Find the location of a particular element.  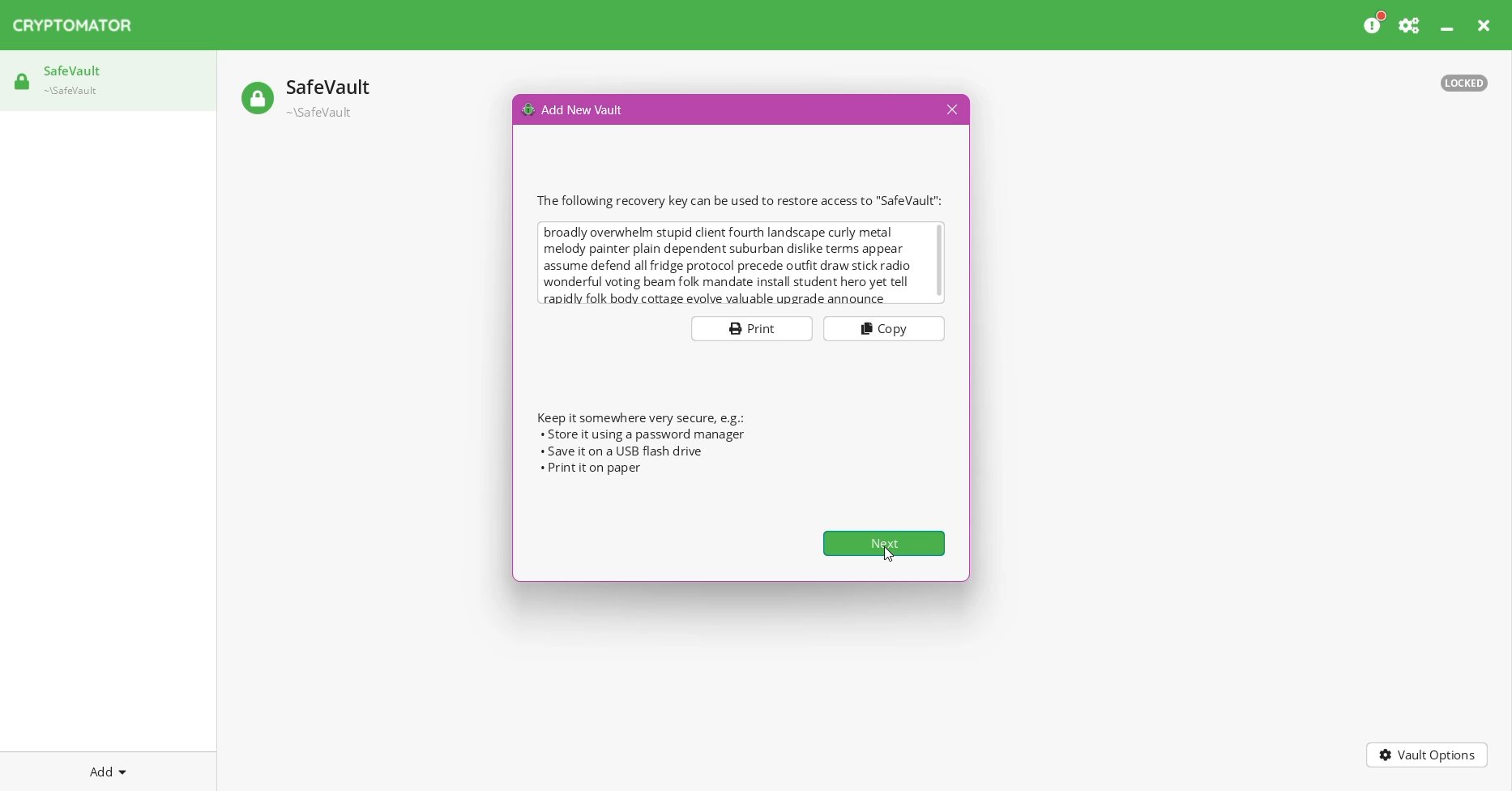

Copy is located at coordinates (886, 328).